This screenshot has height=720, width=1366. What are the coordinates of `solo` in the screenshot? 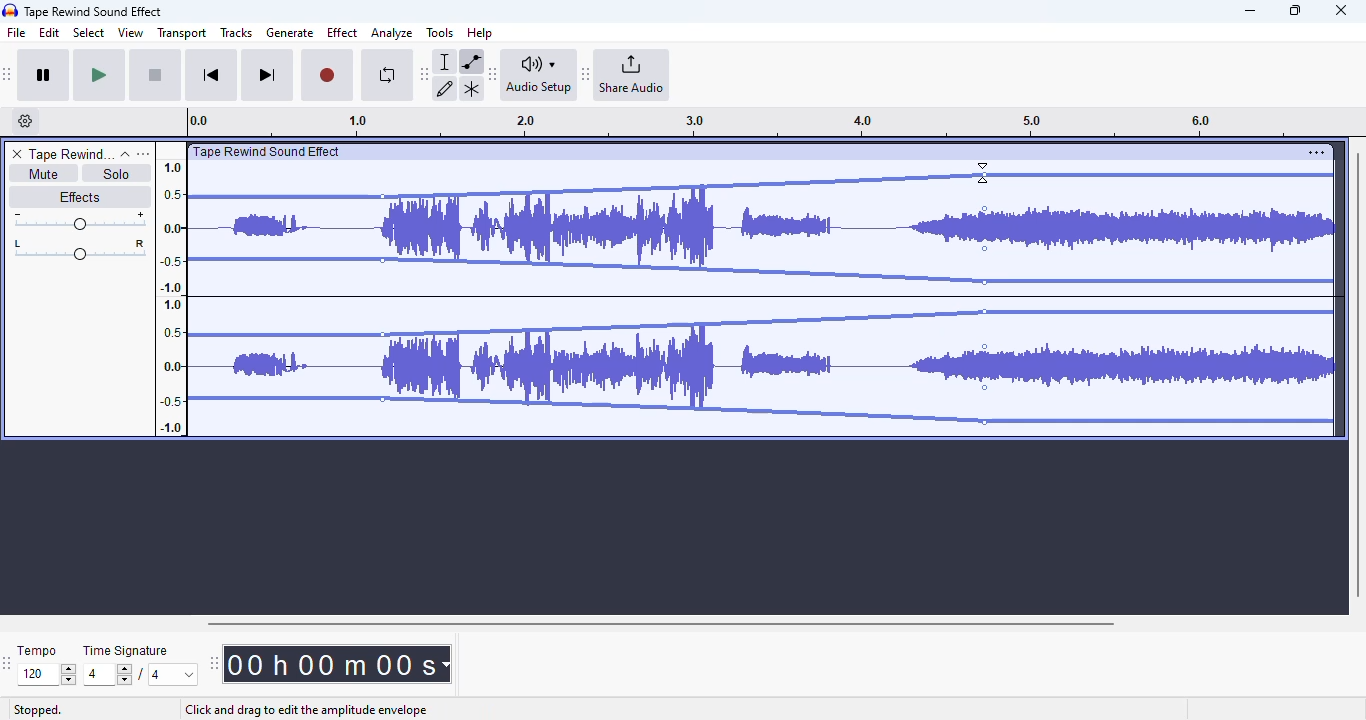 It's located at (117, 173).